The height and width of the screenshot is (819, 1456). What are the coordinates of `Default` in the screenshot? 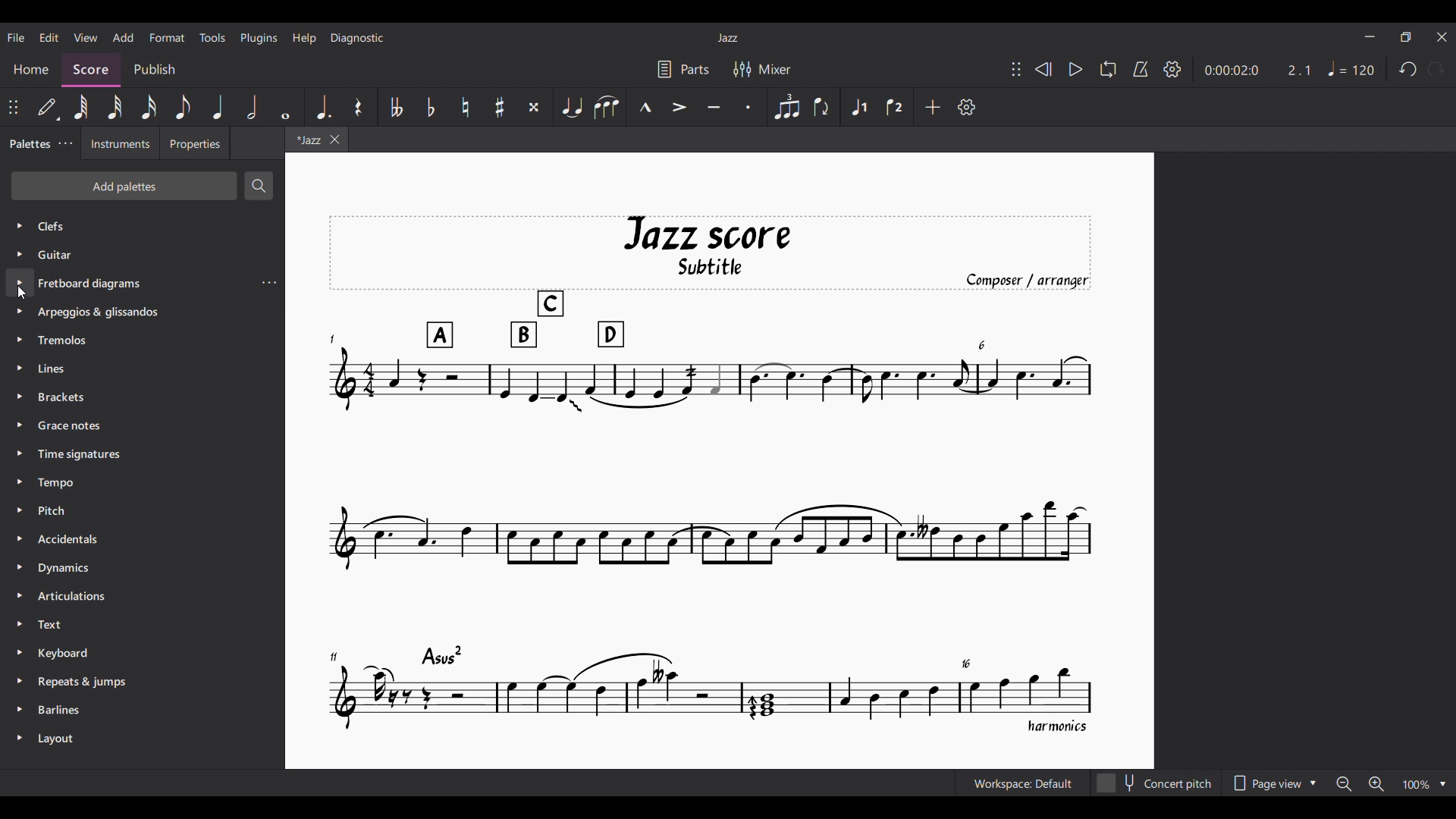 It's located at (47, 107).